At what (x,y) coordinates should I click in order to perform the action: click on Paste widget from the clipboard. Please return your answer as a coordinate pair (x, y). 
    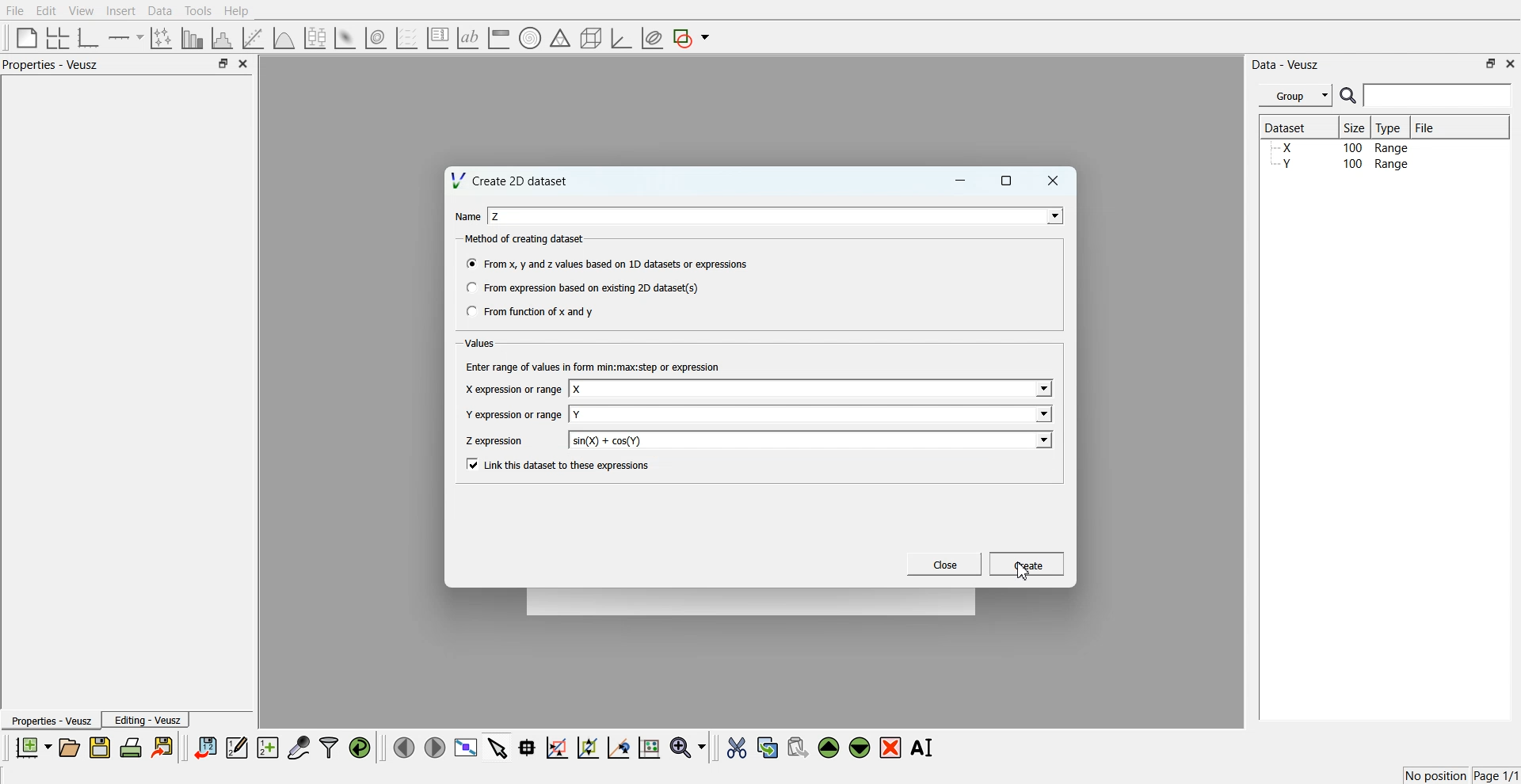
    Looking at the image, I should click on (798, 746).